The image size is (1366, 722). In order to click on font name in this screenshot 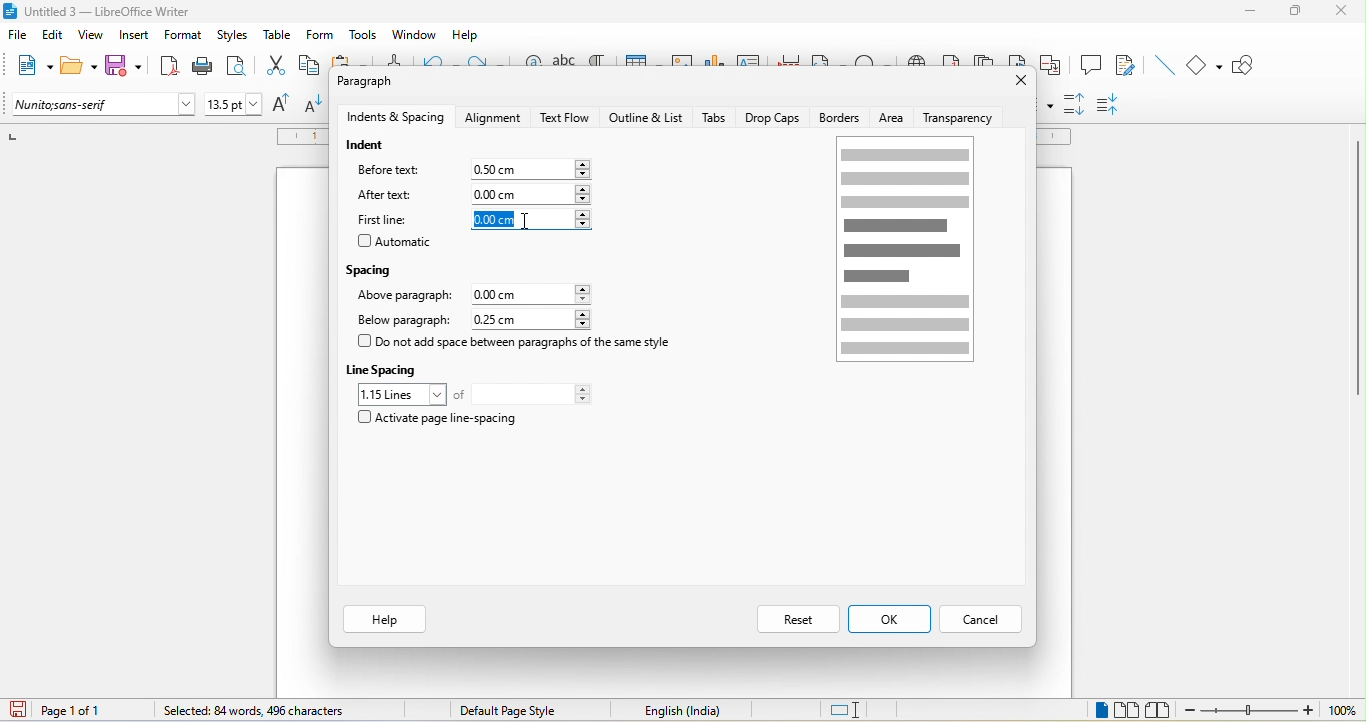, I will do `click(105, 105)`.